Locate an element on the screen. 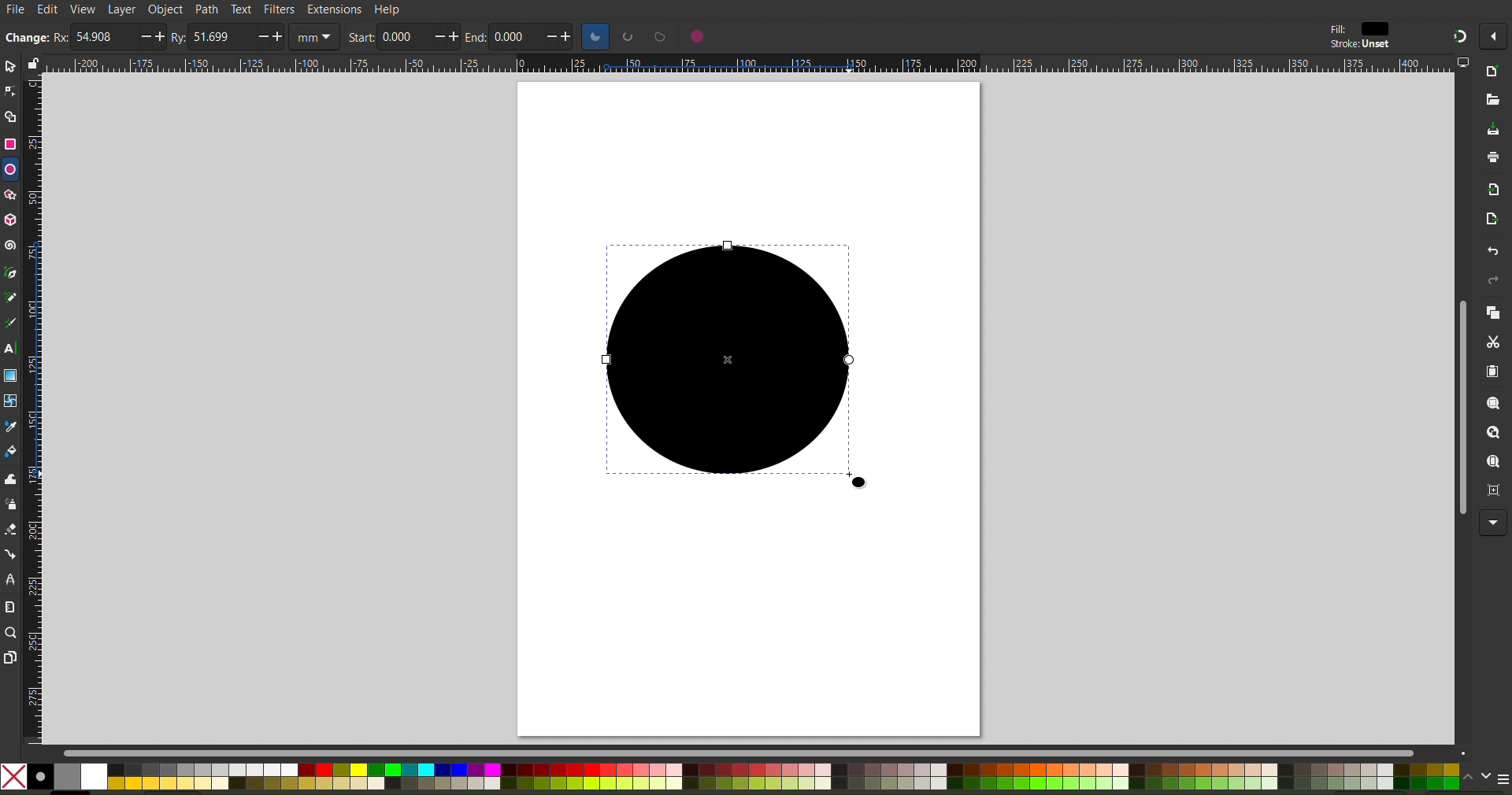  Snapping is located at coordinates (1455, 35).